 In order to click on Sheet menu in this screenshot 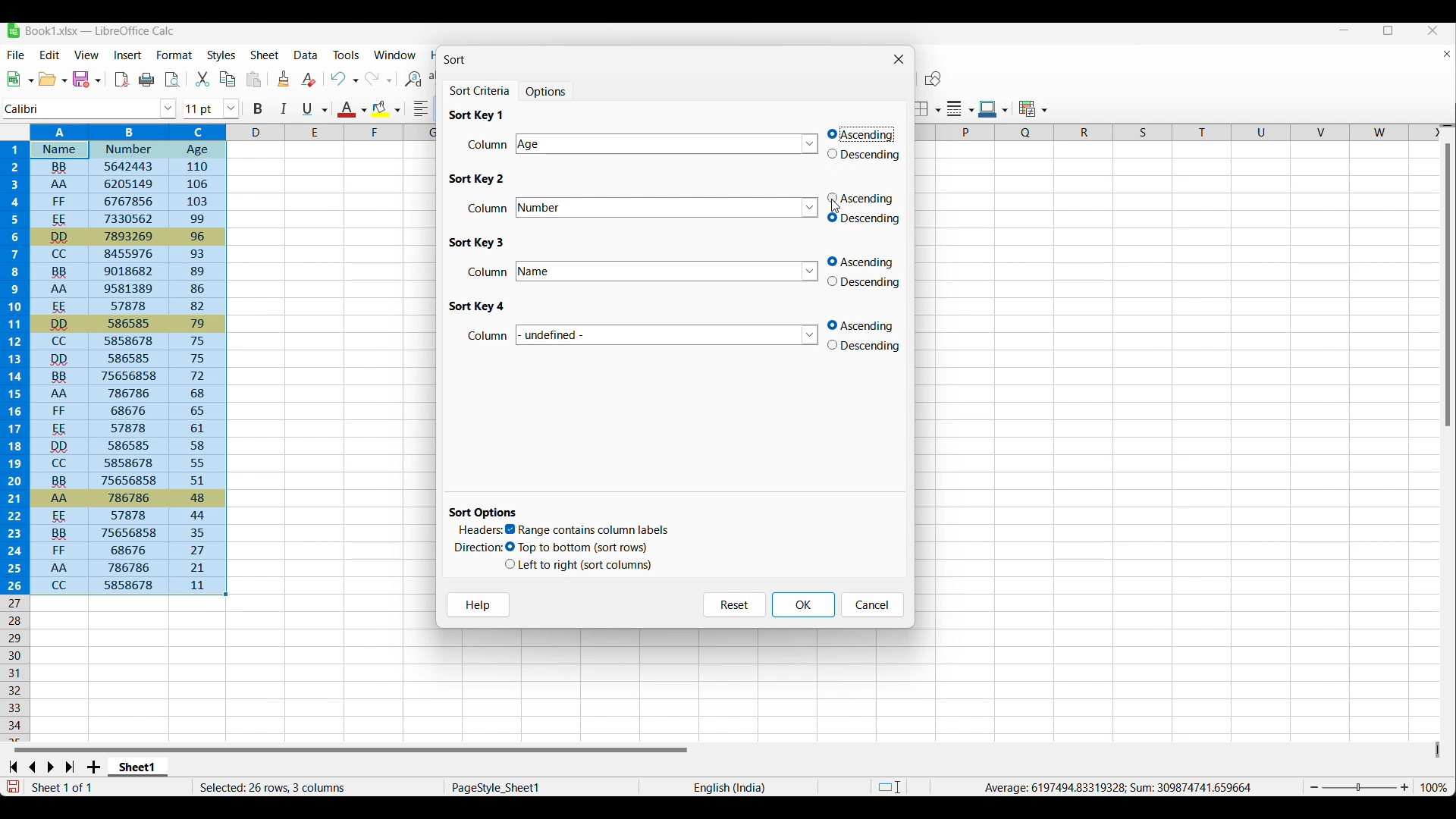, I will do `click(265, 55)`.